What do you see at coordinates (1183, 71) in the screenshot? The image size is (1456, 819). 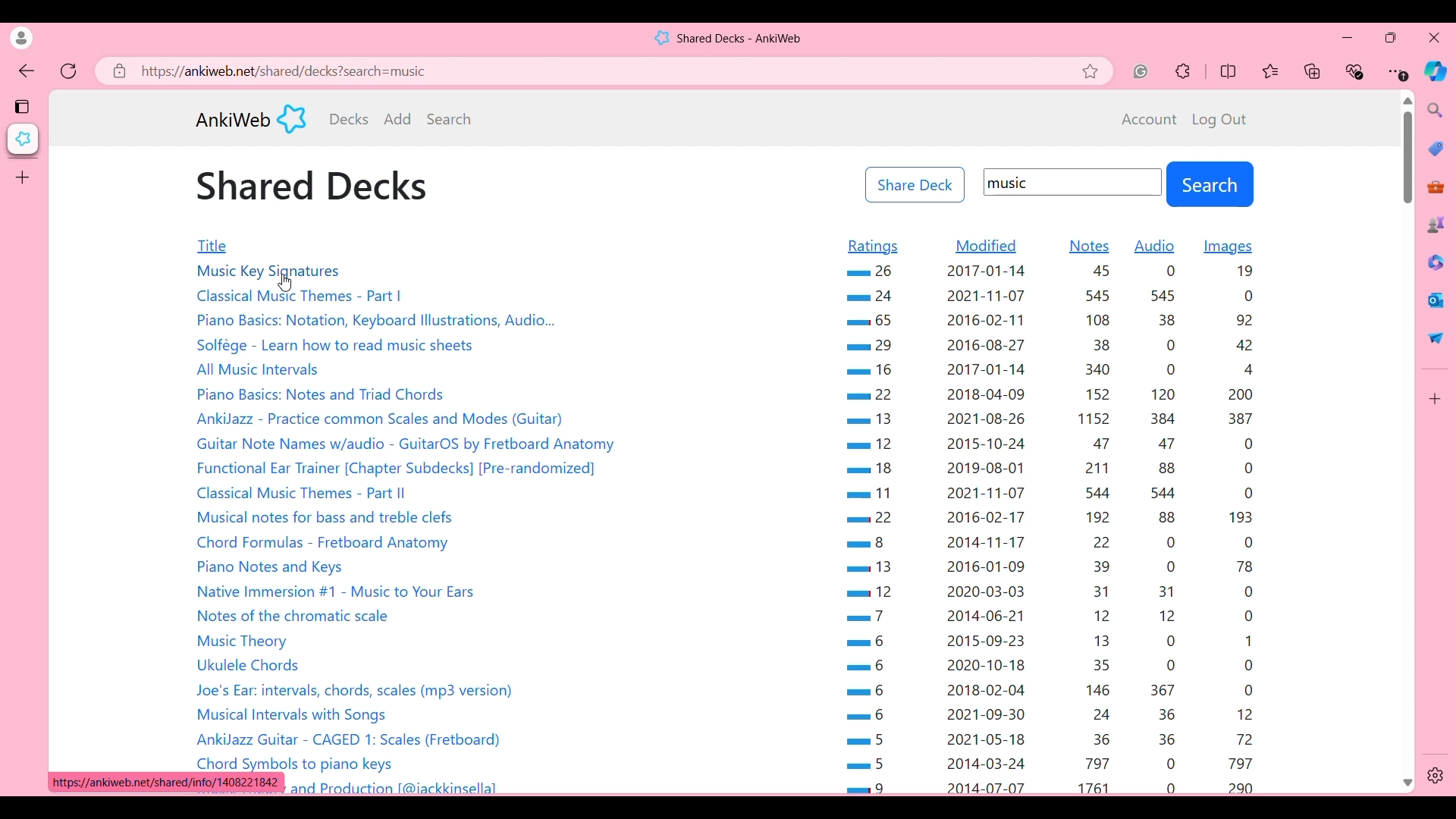 I see `Extensions` at bounding box center [1183, 71].